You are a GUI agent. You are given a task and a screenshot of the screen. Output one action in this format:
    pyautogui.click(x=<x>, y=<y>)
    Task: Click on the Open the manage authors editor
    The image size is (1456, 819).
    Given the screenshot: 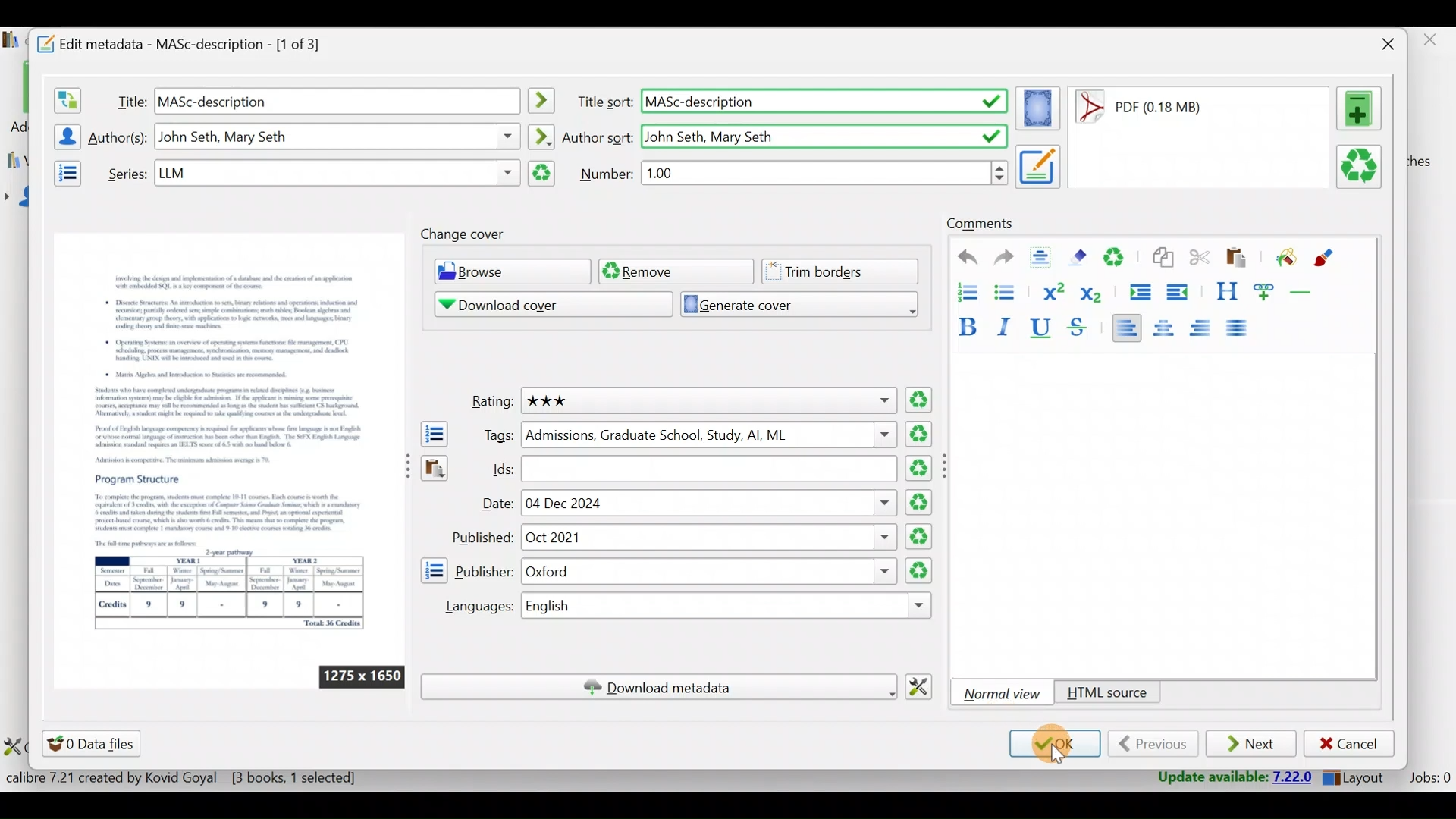 What is the action you would take?
    pyautogui.click(x=63, y=134)
    